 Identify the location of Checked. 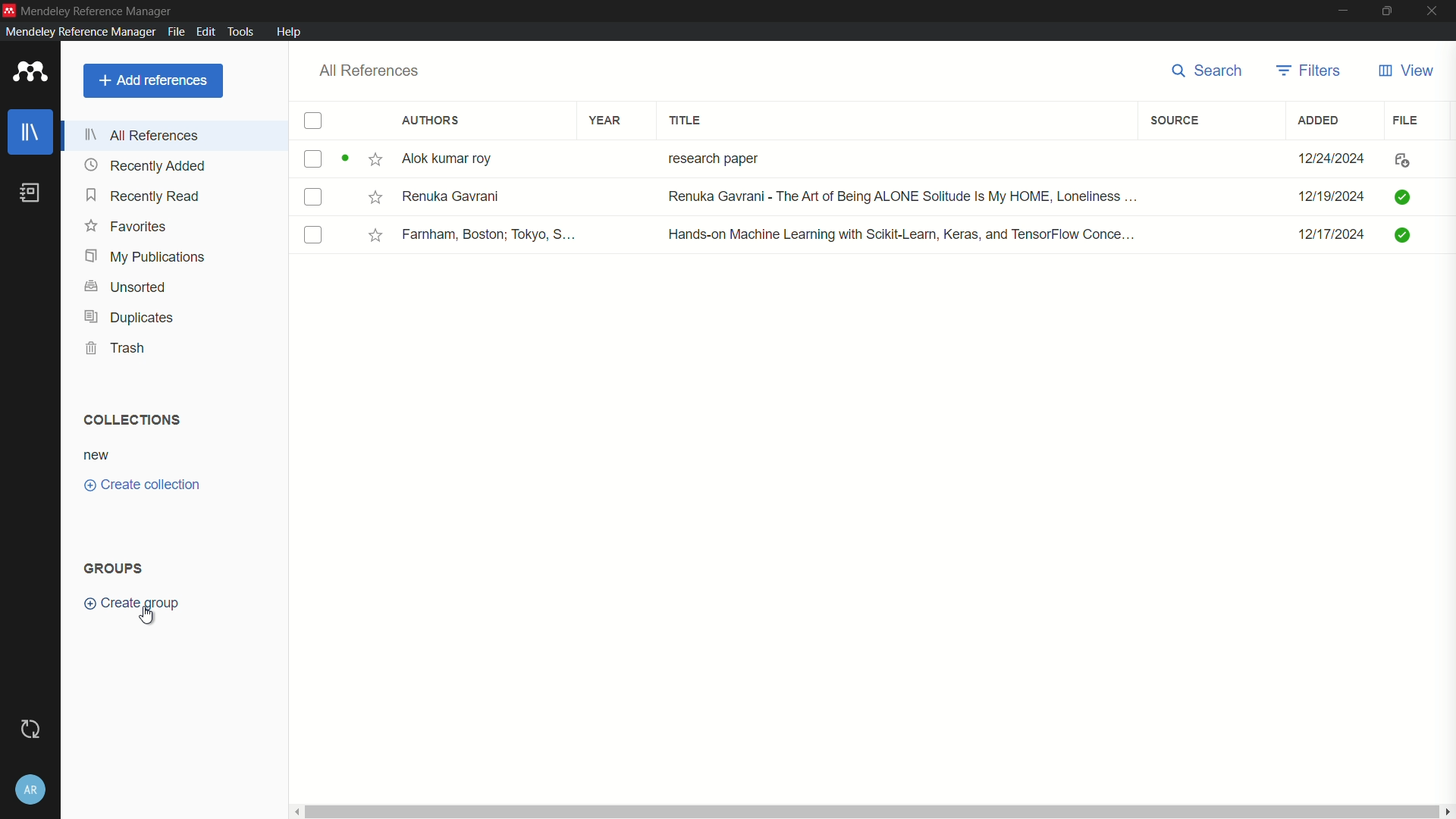
(1401, 196).